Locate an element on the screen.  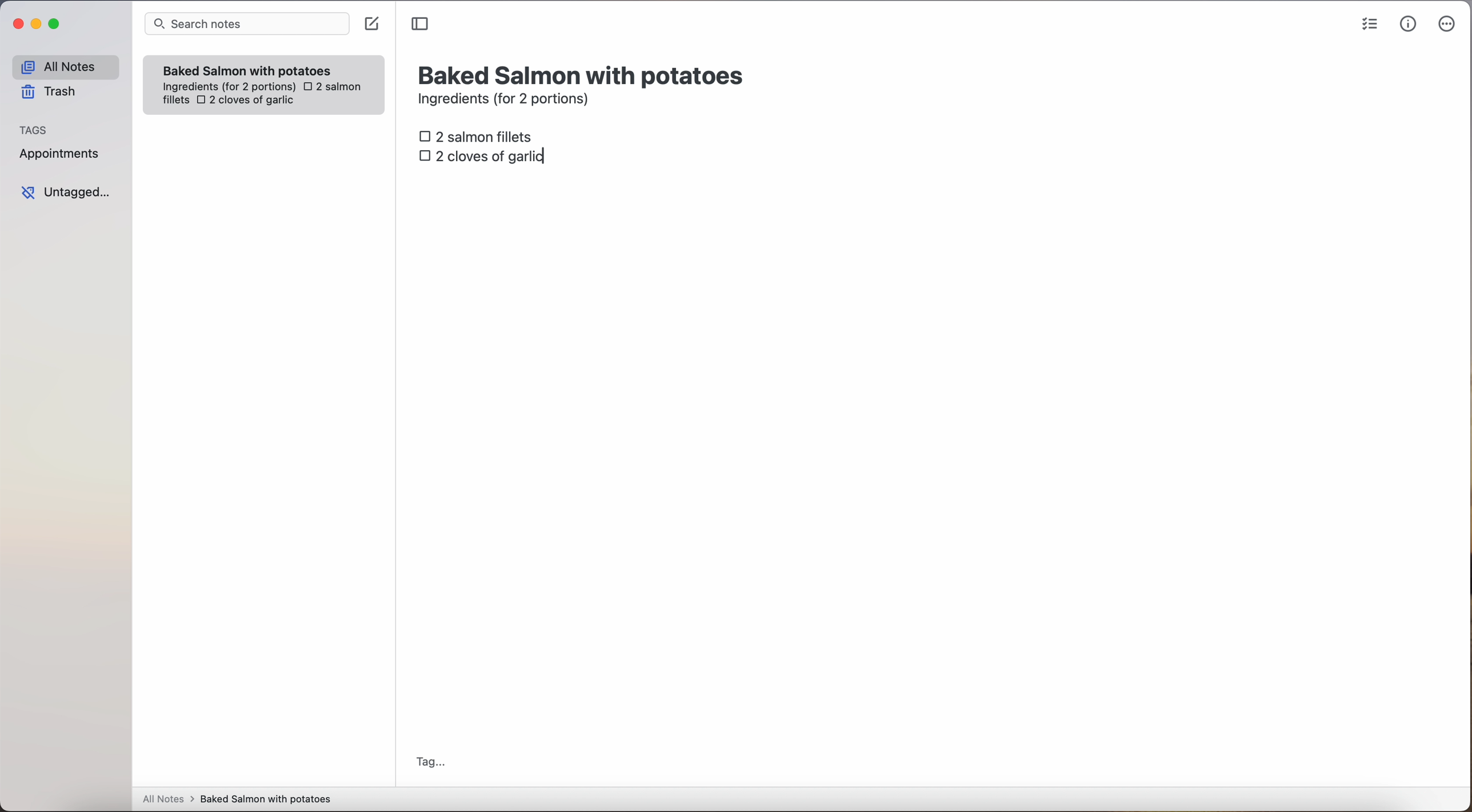
create note is located at coordinates (371, 24).